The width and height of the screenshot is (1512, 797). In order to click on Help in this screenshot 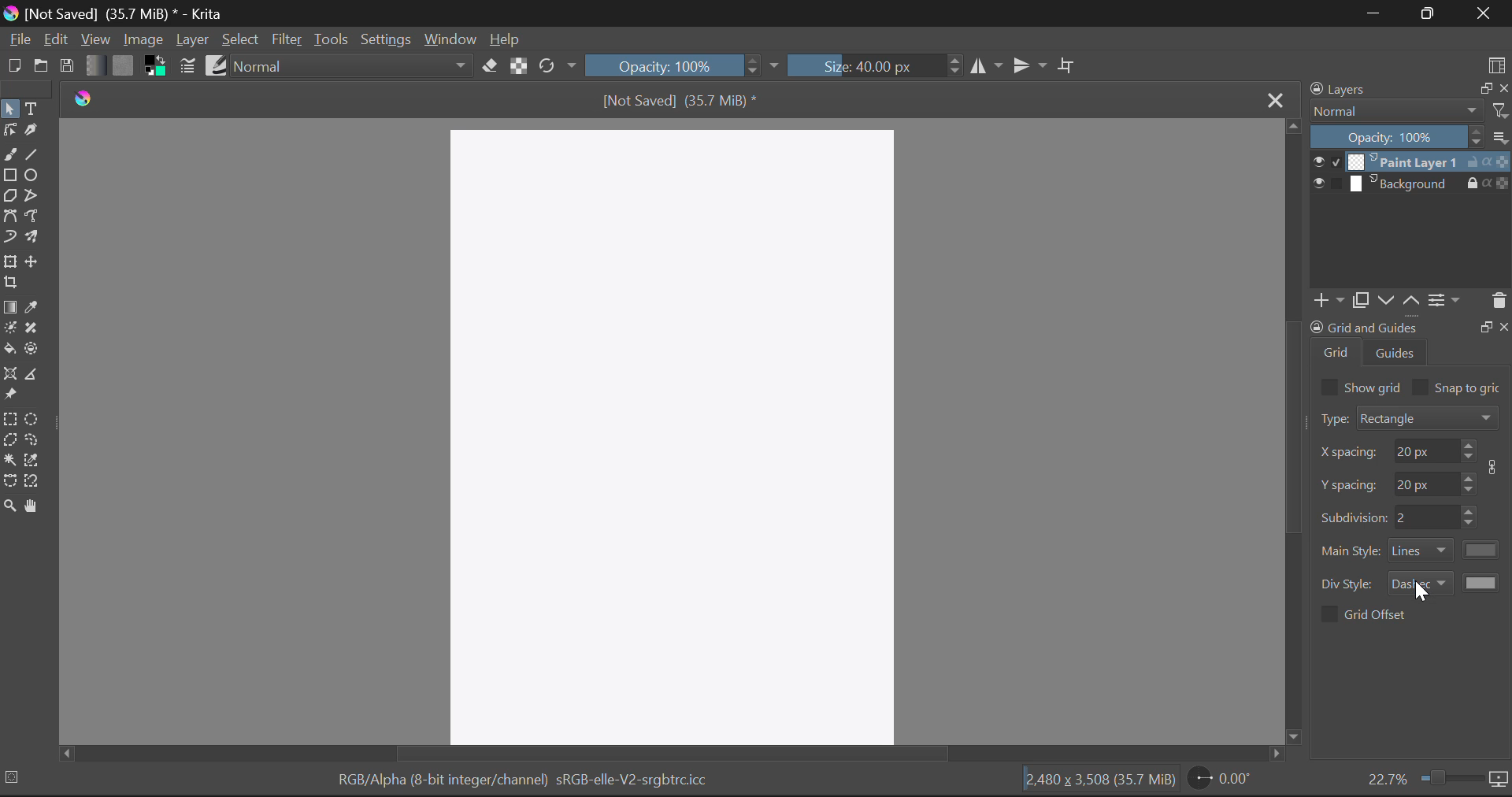, I will do `click(506, 39)`.